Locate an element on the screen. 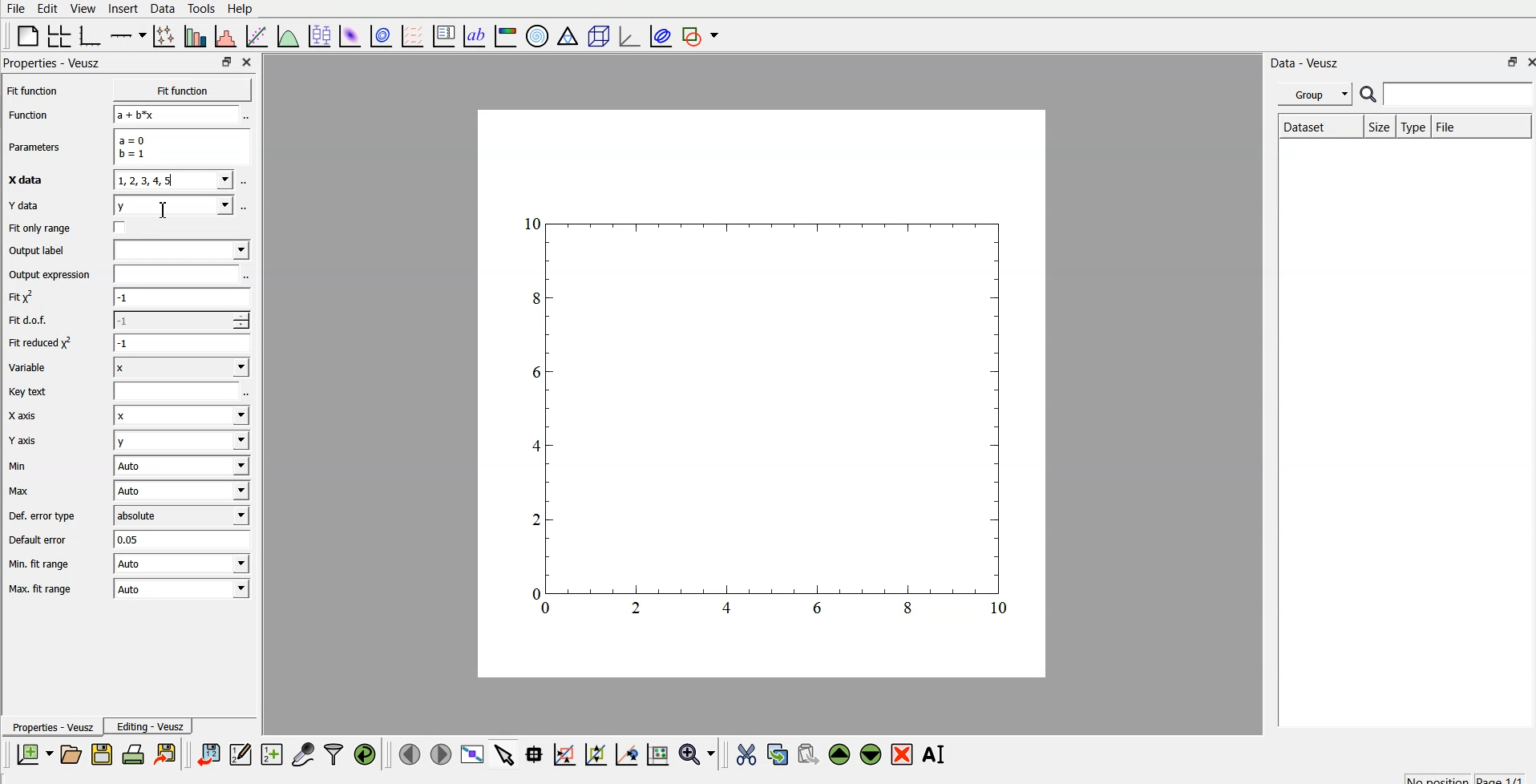 The height and width of the screenshot is (784, 1536). restore down is located at coordinates (224, 63).